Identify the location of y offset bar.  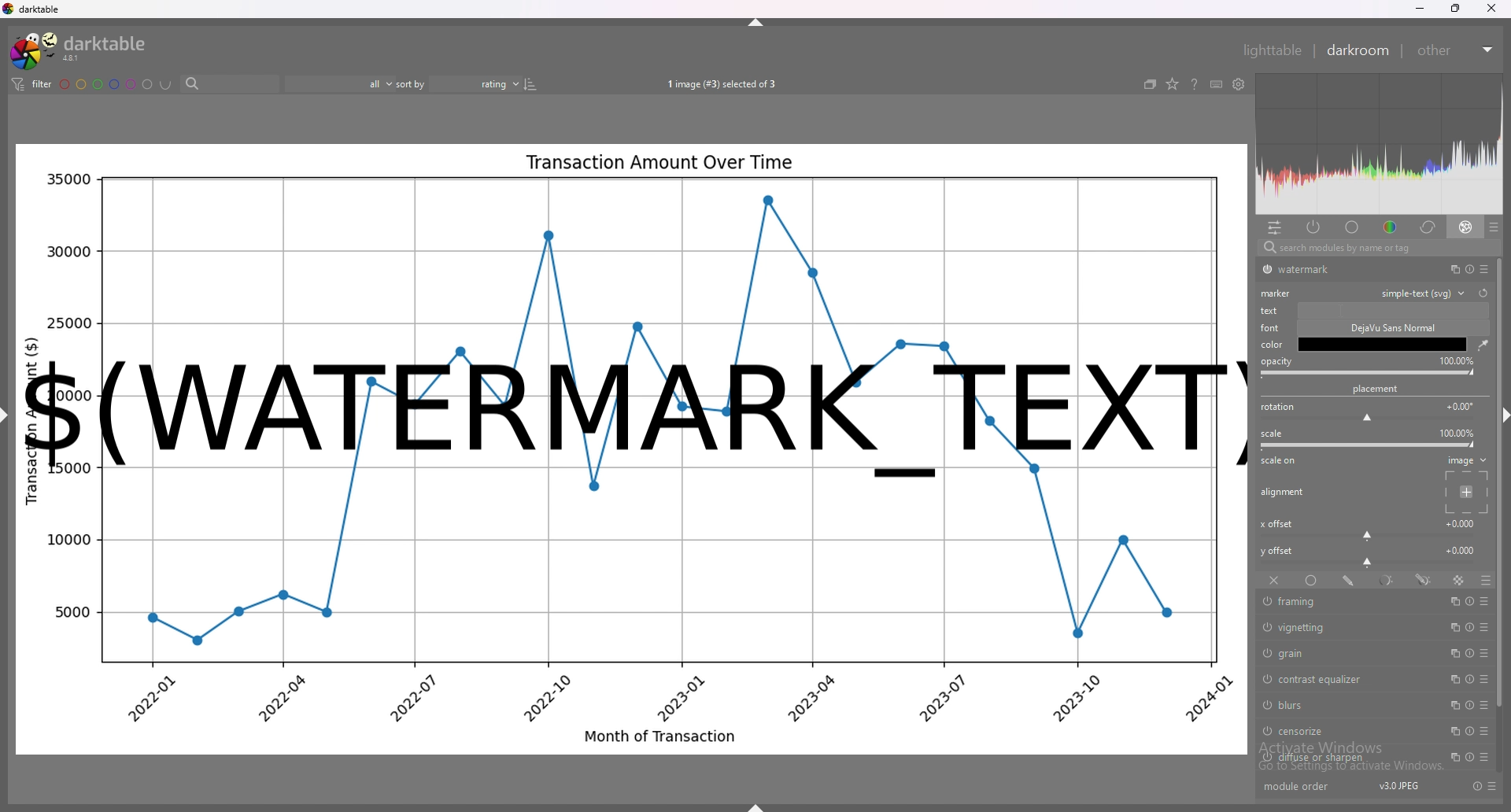
(1369, 563).